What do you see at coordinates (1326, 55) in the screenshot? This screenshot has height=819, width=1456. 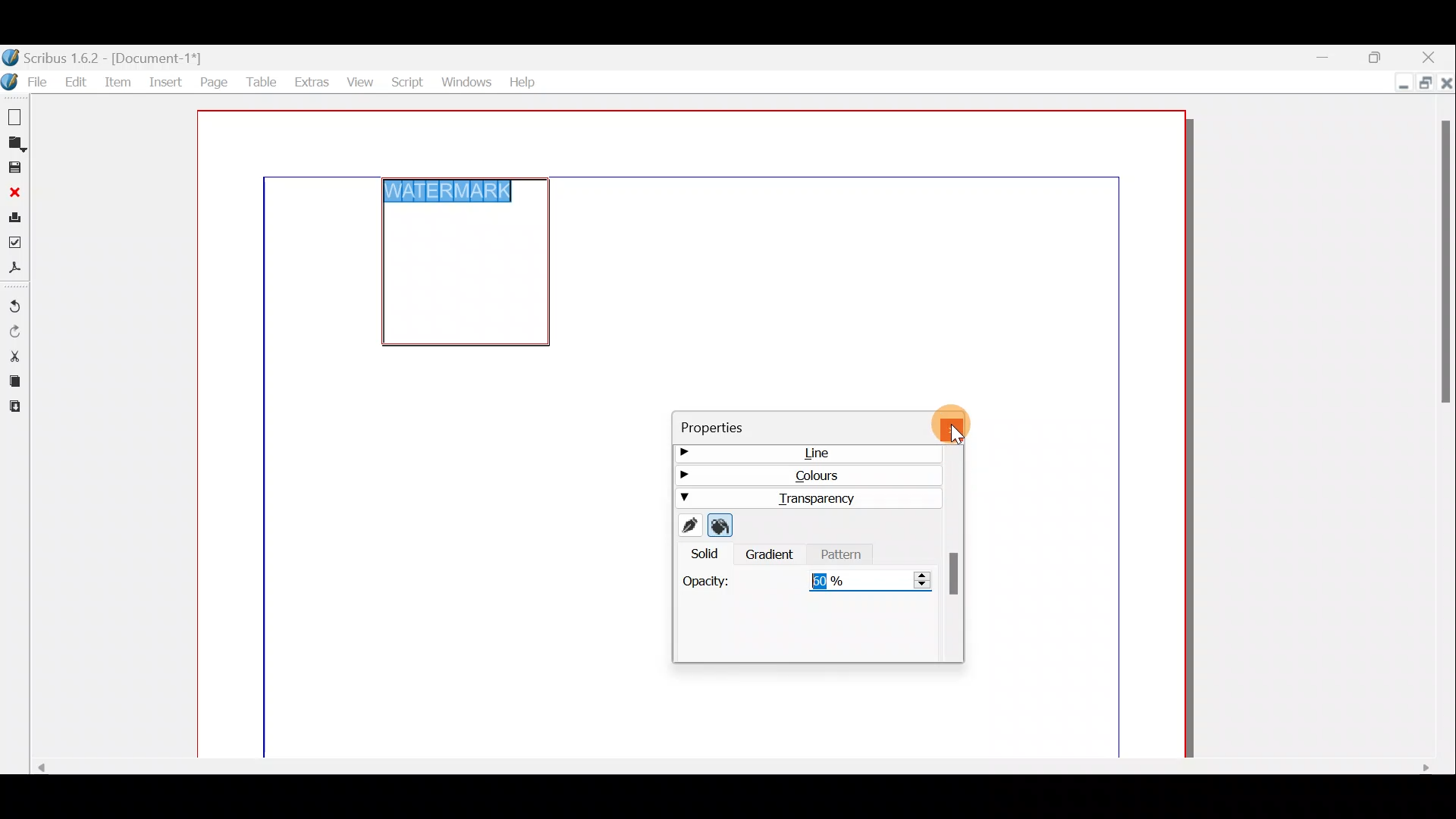 I see `Minimise` at bounding box center [1326, 55].